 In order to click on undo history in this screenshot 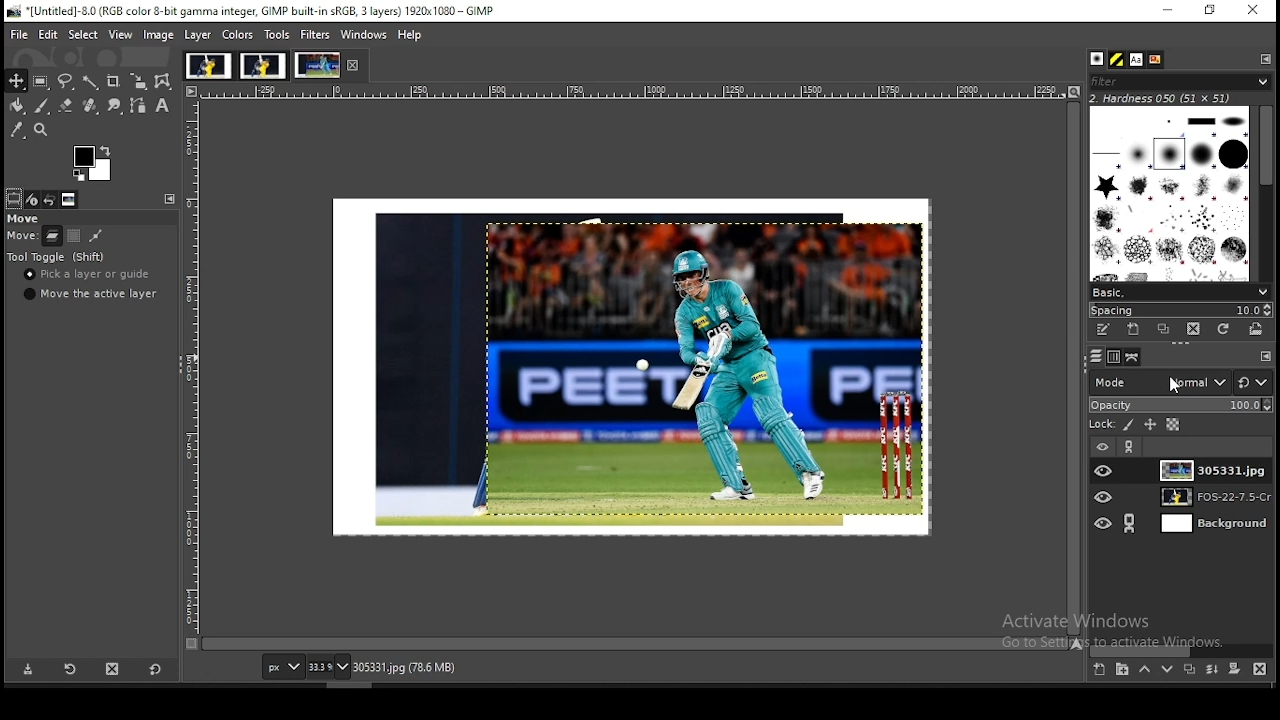, I will do `click(50, 199)`.